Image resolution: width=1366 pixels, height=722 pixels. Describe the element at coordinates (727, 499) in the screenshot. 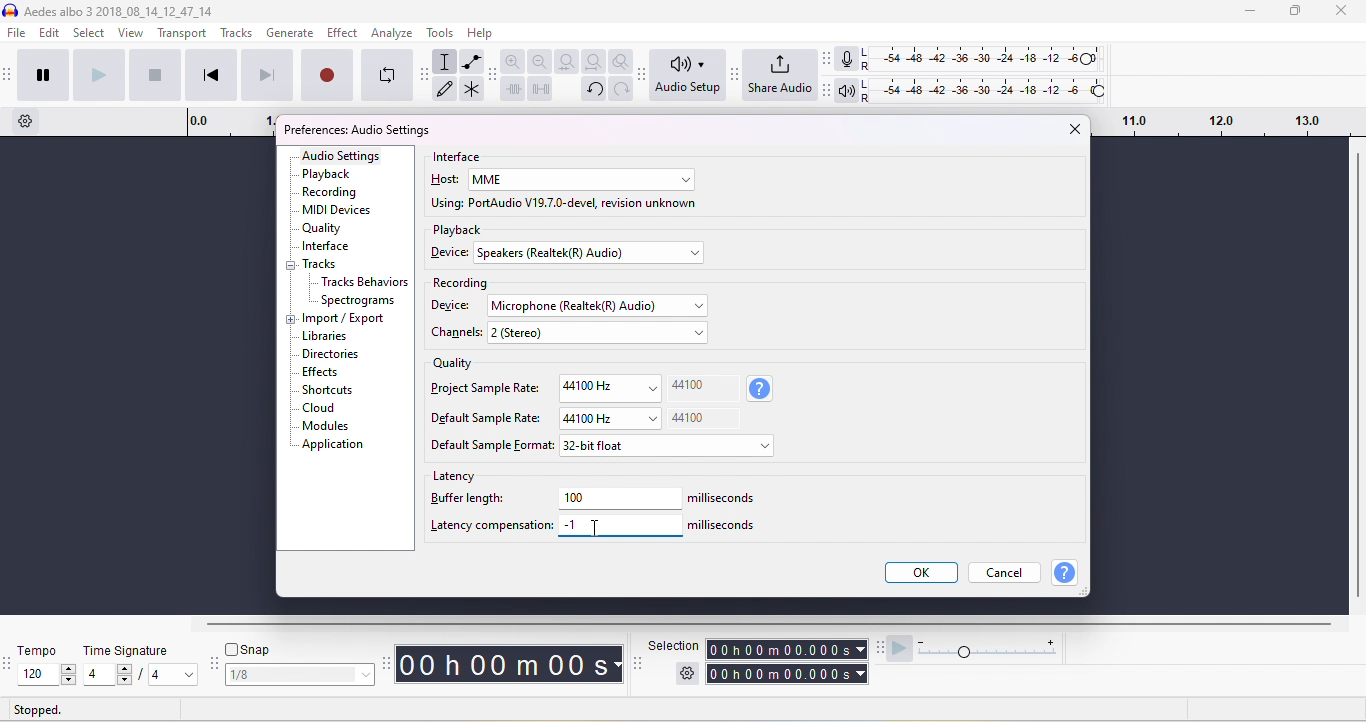

I see `milliseconds` at that location.